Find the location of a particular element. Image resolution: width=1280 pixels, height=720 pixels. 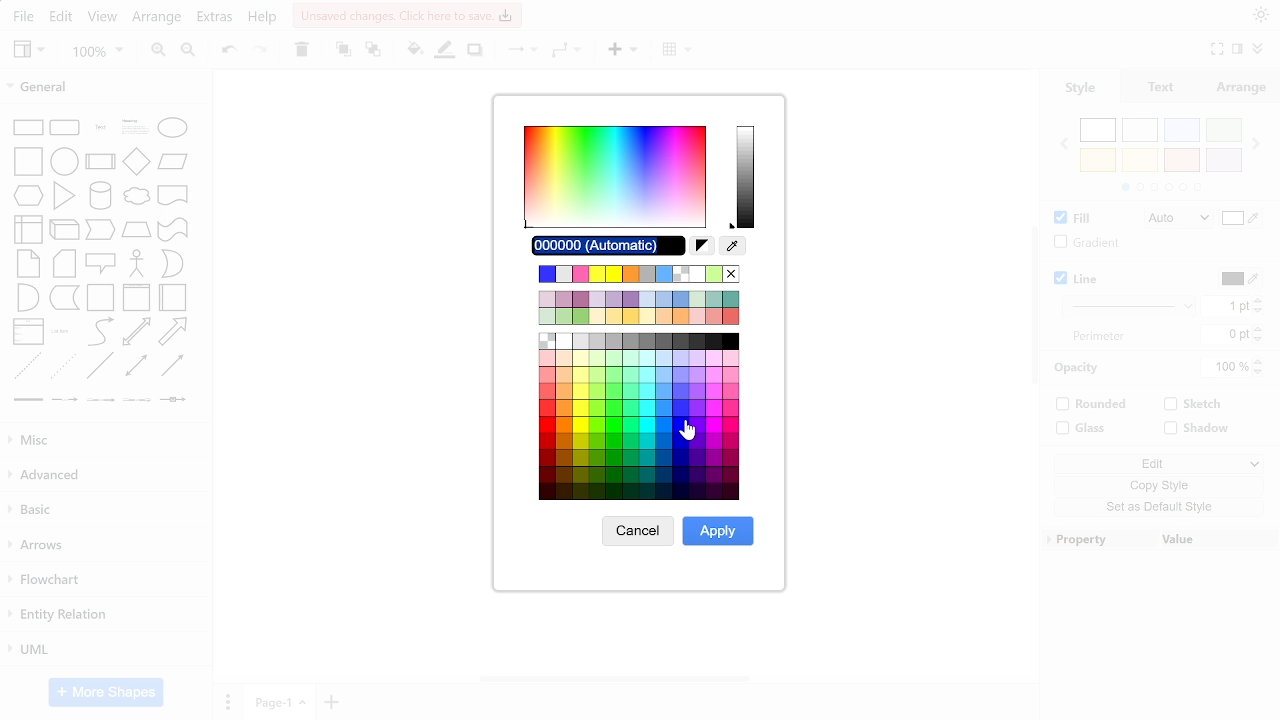

decrease opacity is located at coordinates (1261, 373).